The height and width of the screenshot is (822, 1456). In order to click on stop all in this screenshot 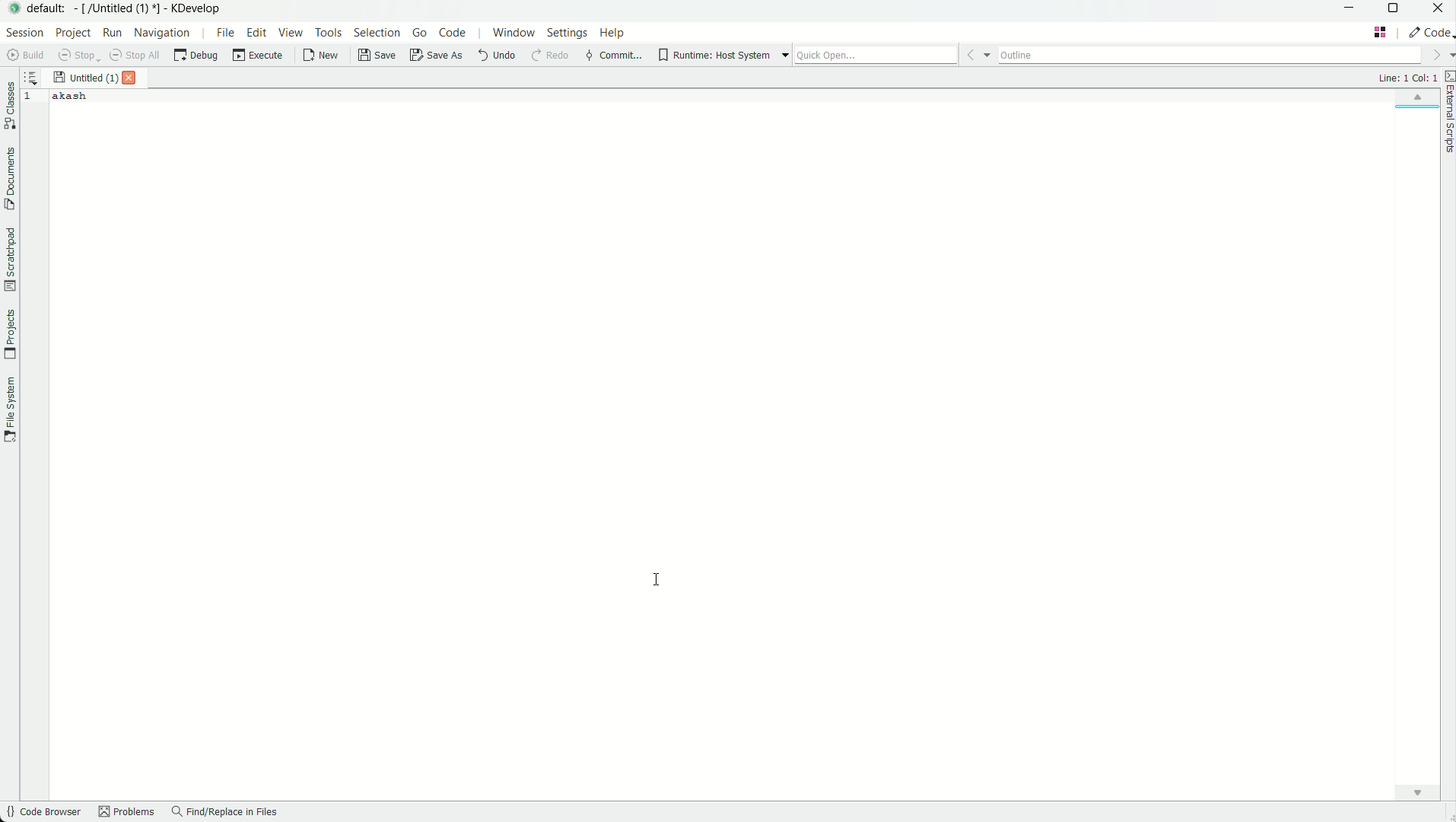, I will do `click(137, 56)`.